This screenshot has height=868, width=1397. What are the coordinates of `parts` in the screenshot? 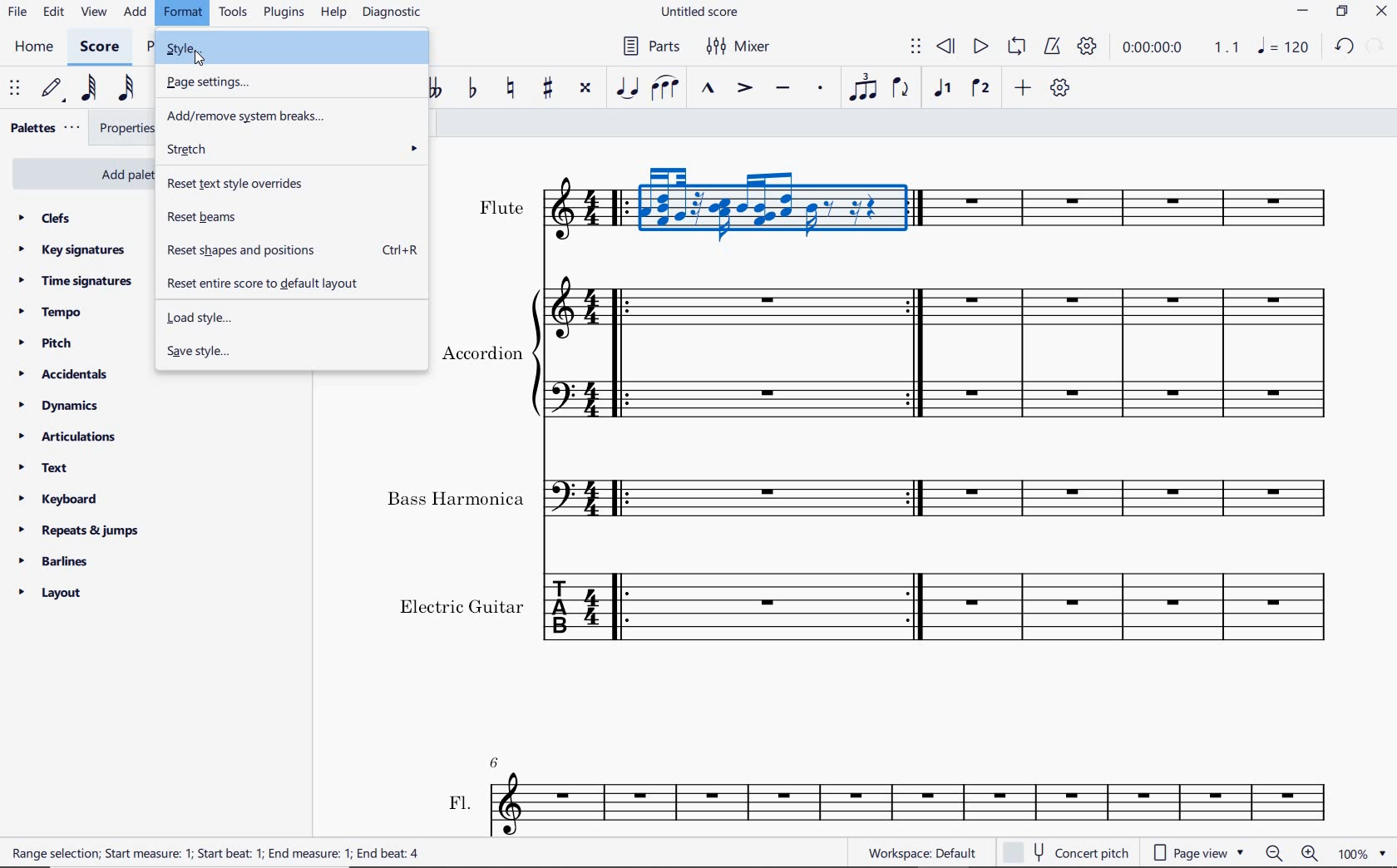 It's located at (648, 46).